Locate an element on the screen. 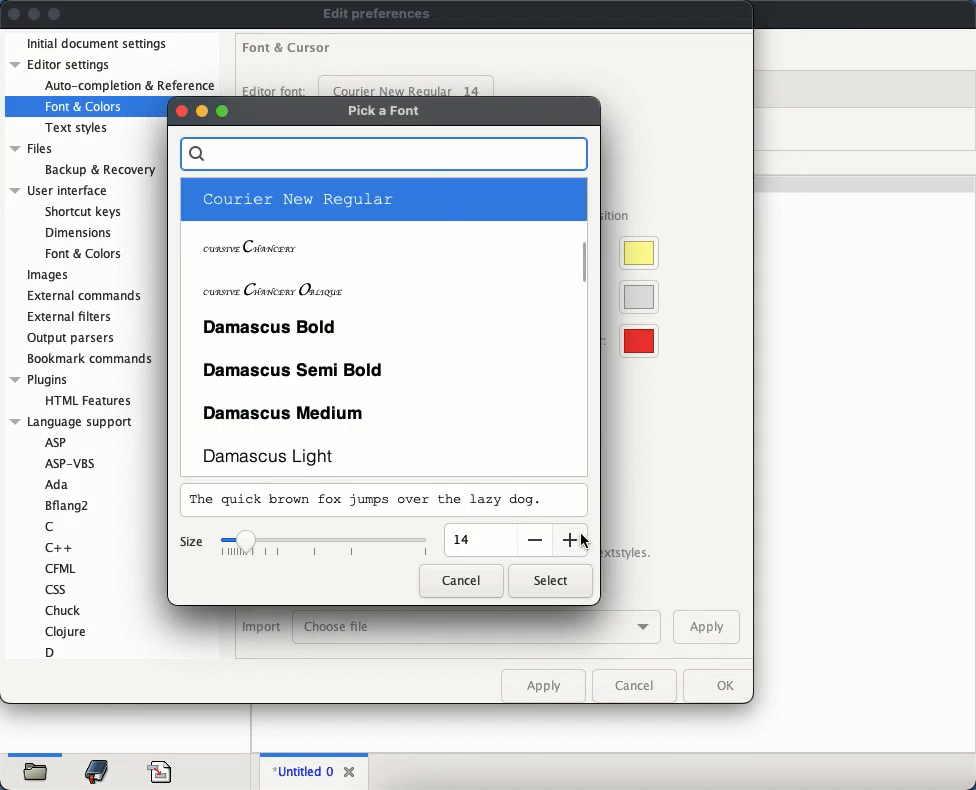  external filters is located at coordinates (73, 317).